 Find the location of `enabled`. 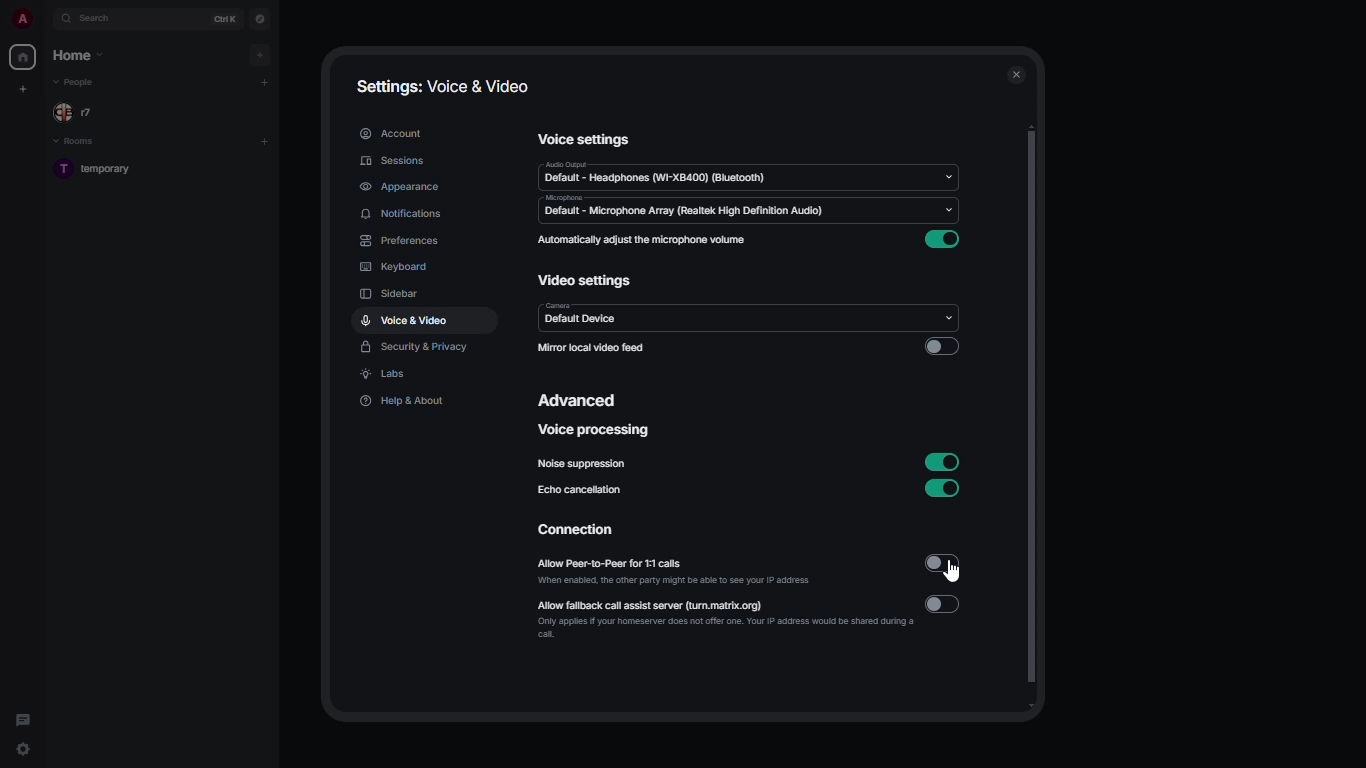

enabled is located at coordinates (942, 460).